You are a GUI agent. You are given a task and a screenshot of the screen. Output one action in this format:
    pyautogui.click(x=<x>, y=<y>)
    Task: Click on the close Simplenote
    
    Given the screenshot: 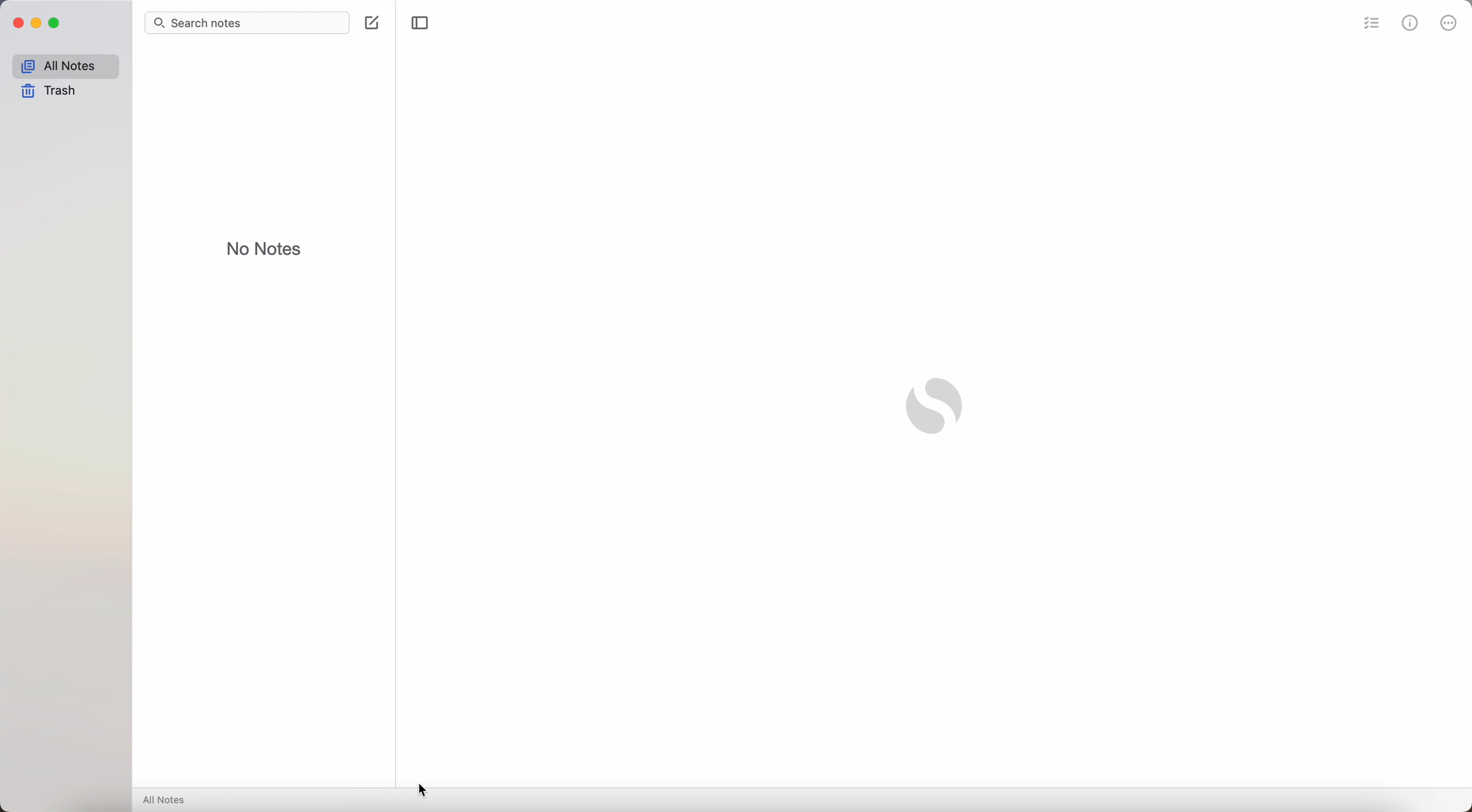 What is the action you would take?
    pyautogui.click(x=17, y=22)
    